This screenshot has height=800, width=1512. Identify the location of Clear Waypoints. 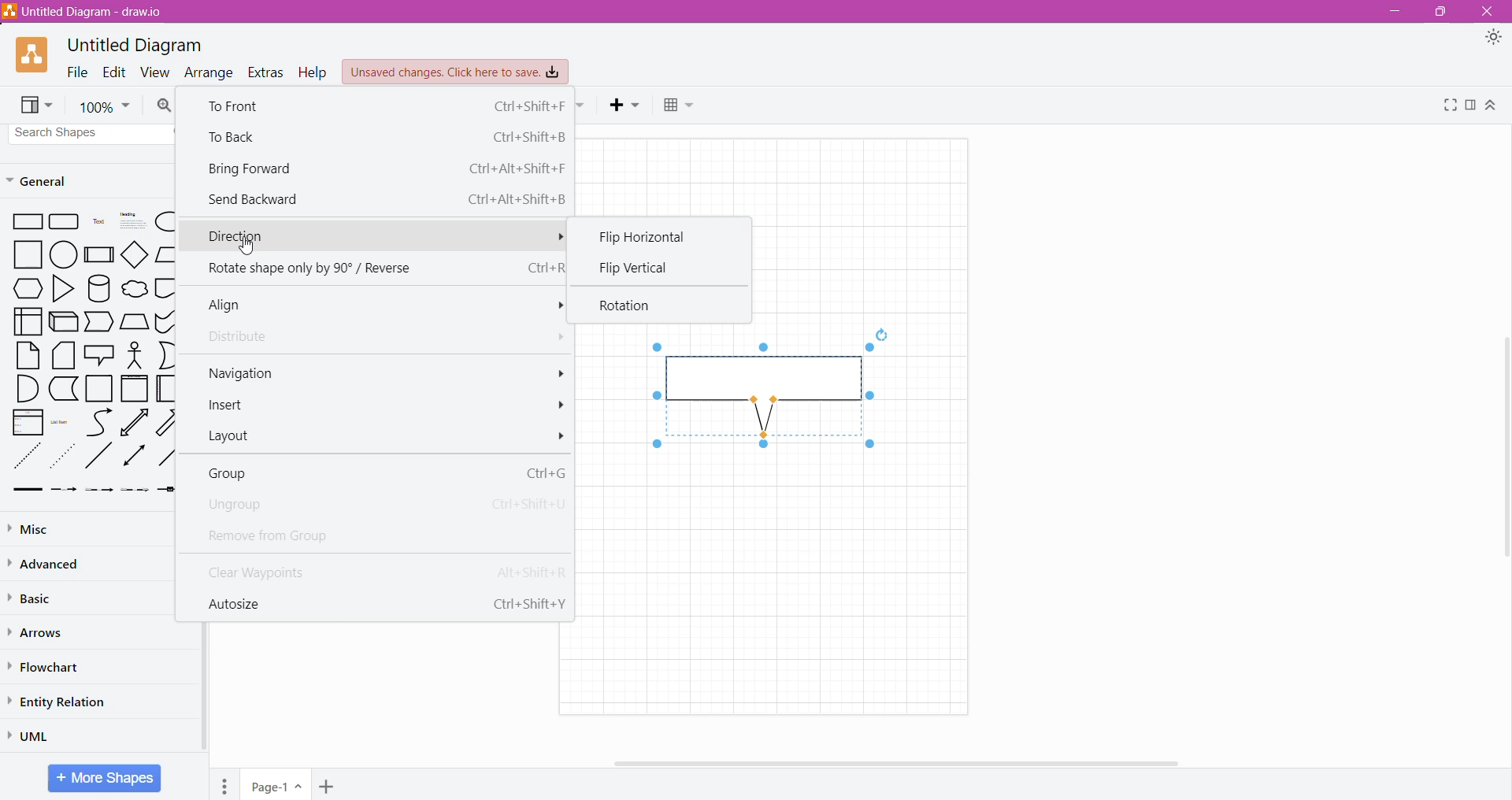
(380, 570).